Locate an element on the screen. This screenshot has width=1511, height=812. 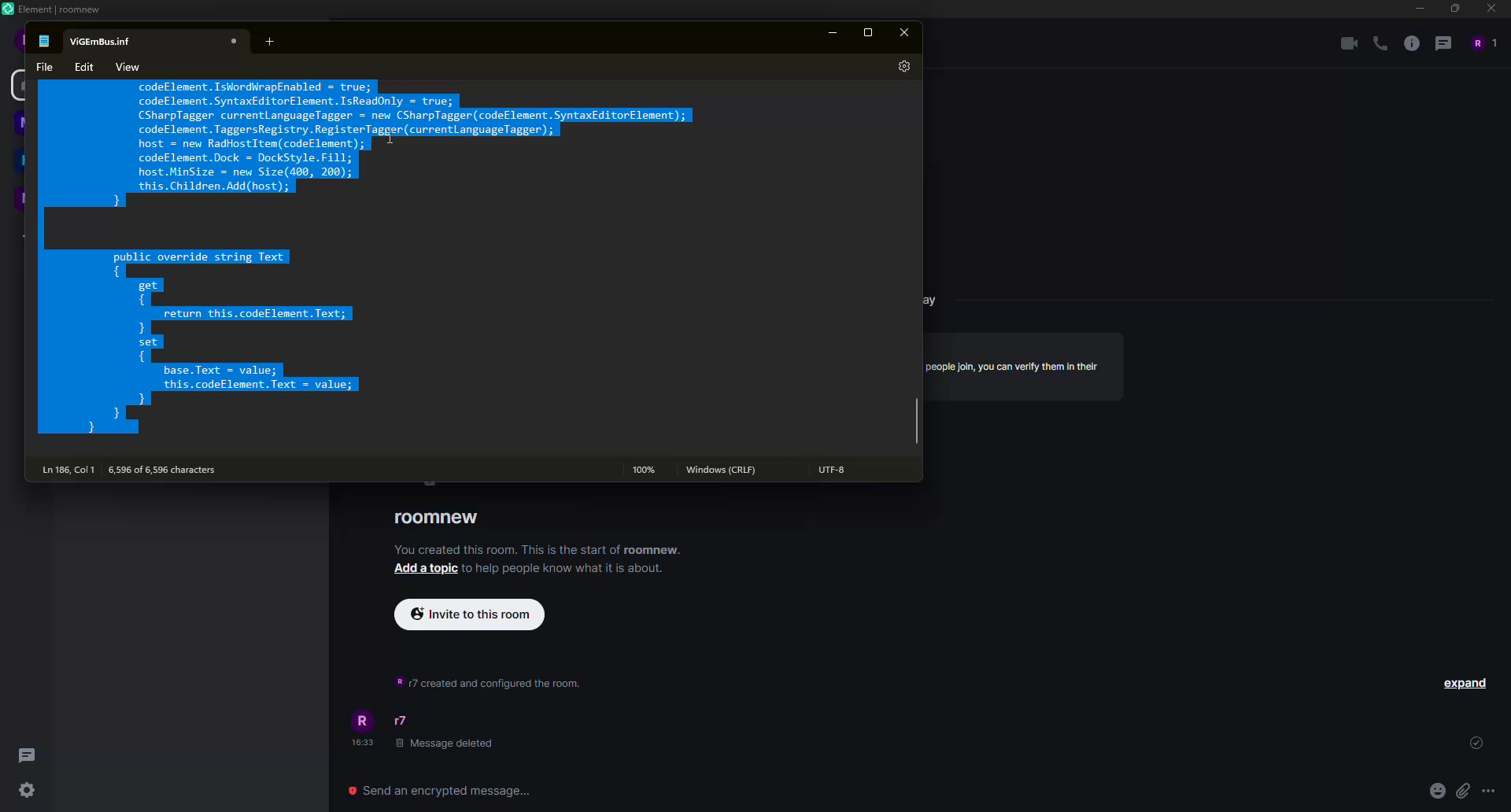
note is located at coordinates (105, 39).